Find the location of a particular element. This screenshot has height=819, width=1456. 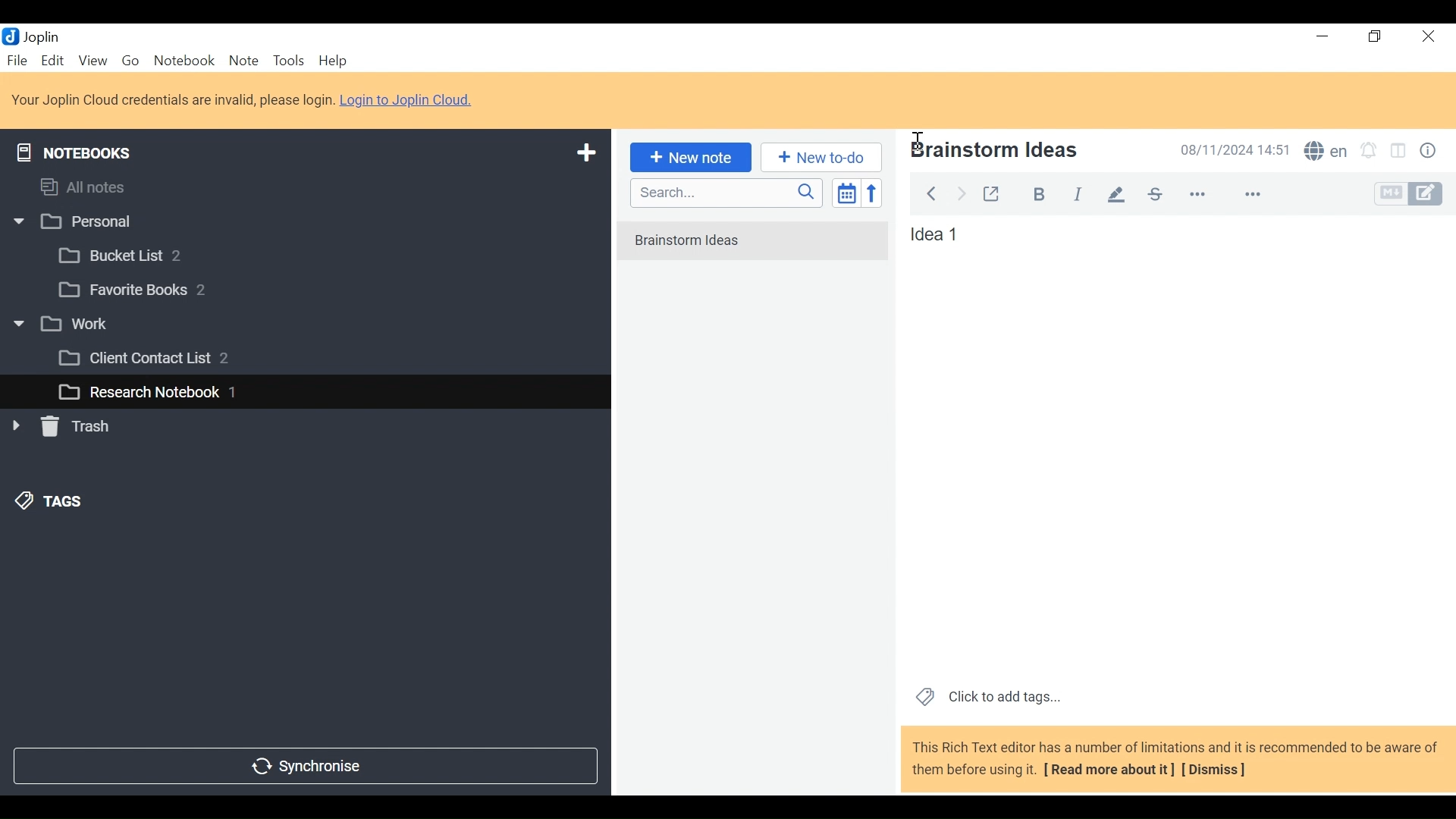

Back is located at coordinates (930, 191).